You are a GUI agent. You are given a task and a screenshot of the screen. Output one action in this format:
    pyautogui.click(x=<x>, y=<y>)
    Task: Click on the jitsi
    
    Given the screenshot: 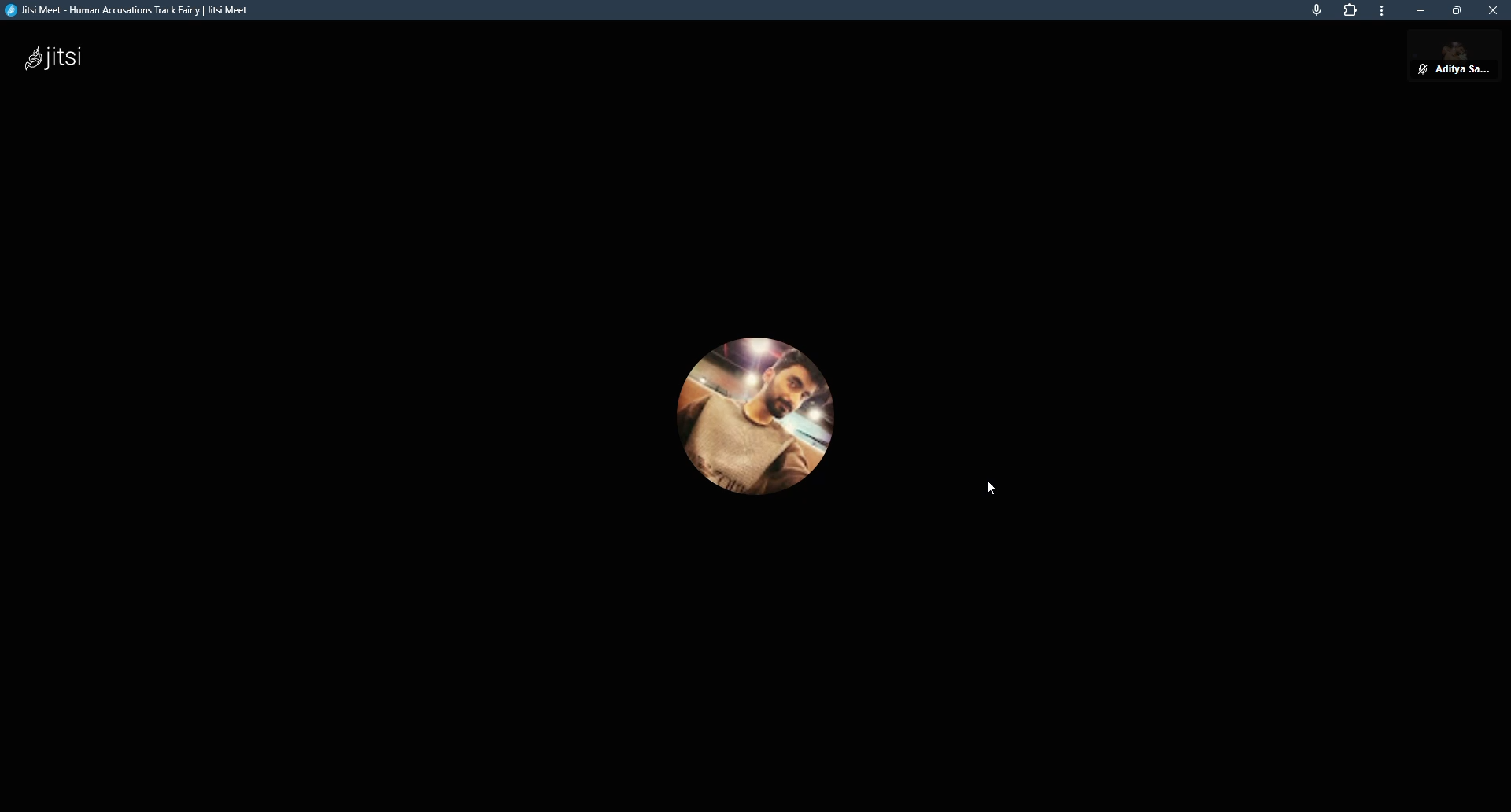 What is the action you would take?
    pyautogui.click(x=135, y=12)
    